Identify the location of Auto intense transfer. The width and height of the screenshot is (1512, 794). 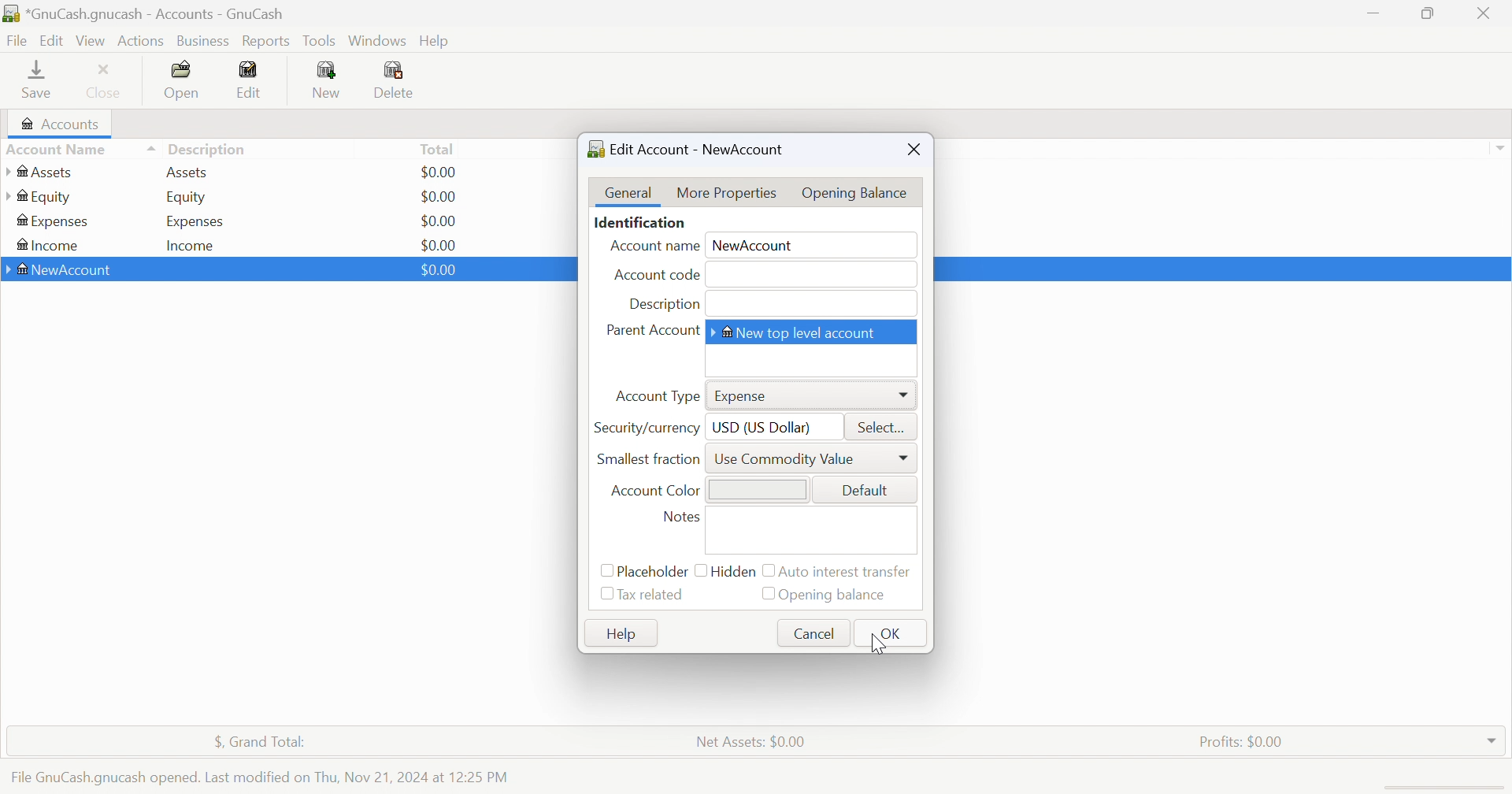
(850, 570).